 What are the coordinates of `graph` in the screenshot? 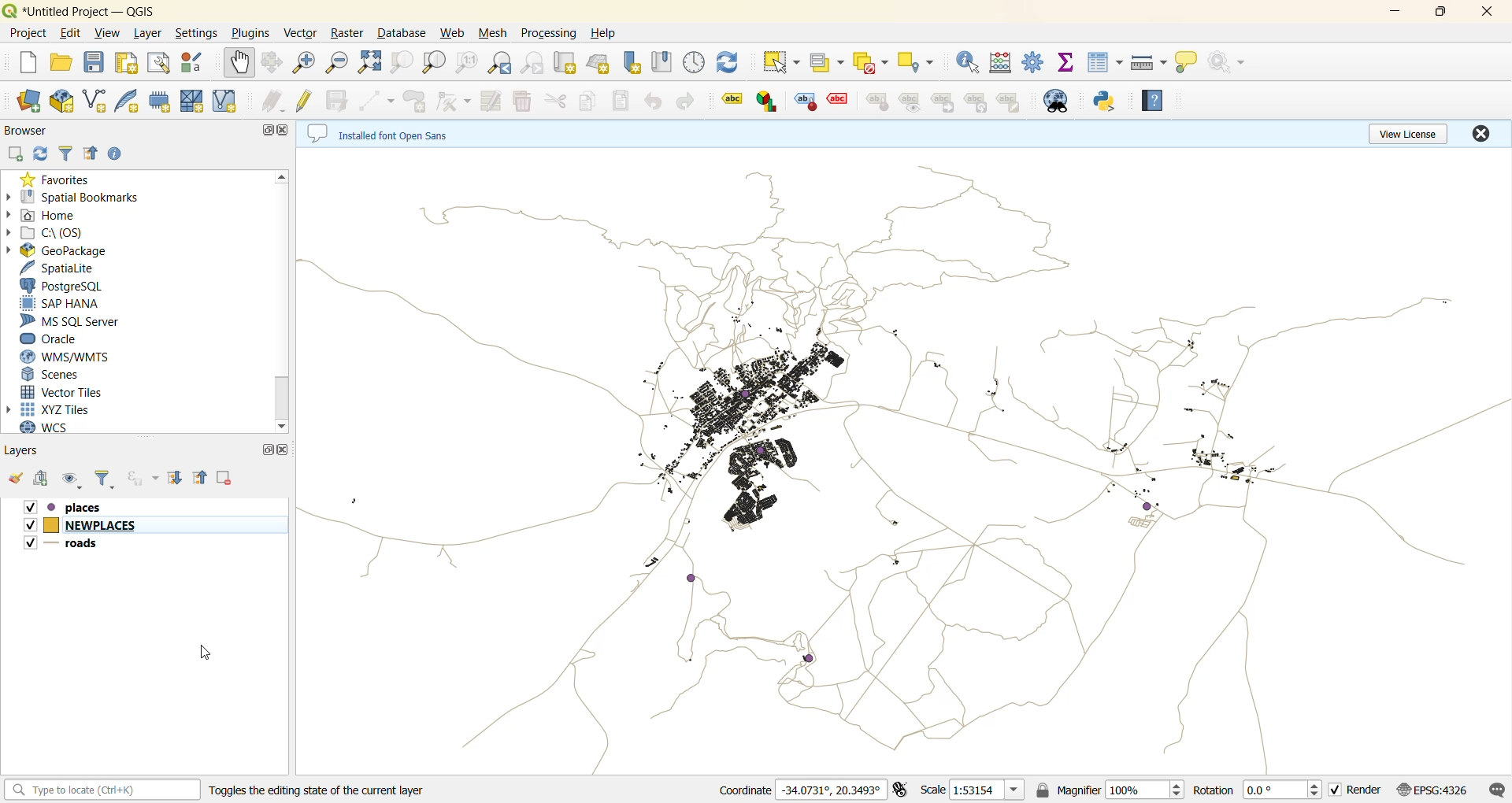 It's located at (767, 101).